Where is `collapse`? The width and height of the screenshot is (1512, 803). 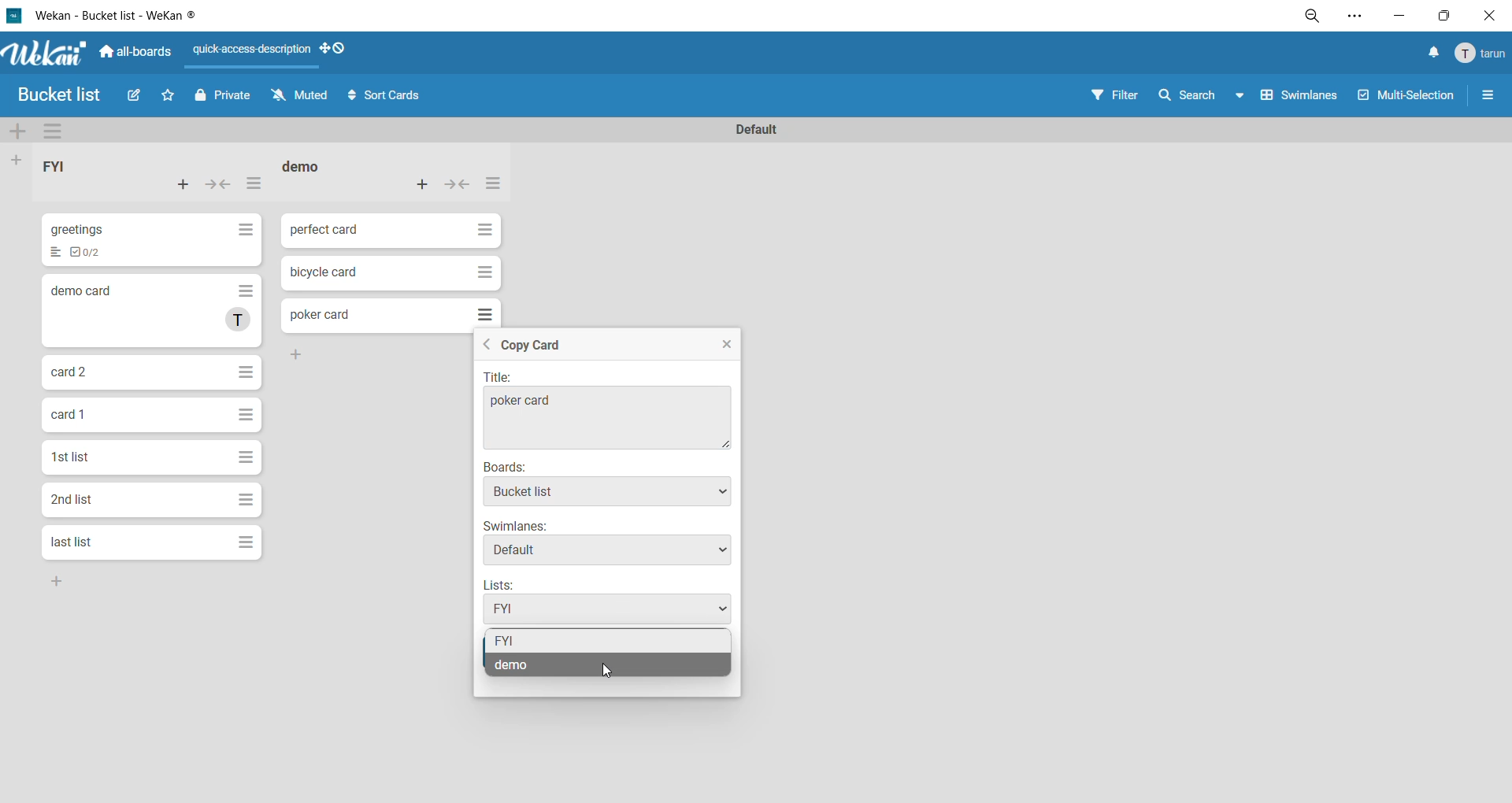 collapse is located at coordinates (221, 185).